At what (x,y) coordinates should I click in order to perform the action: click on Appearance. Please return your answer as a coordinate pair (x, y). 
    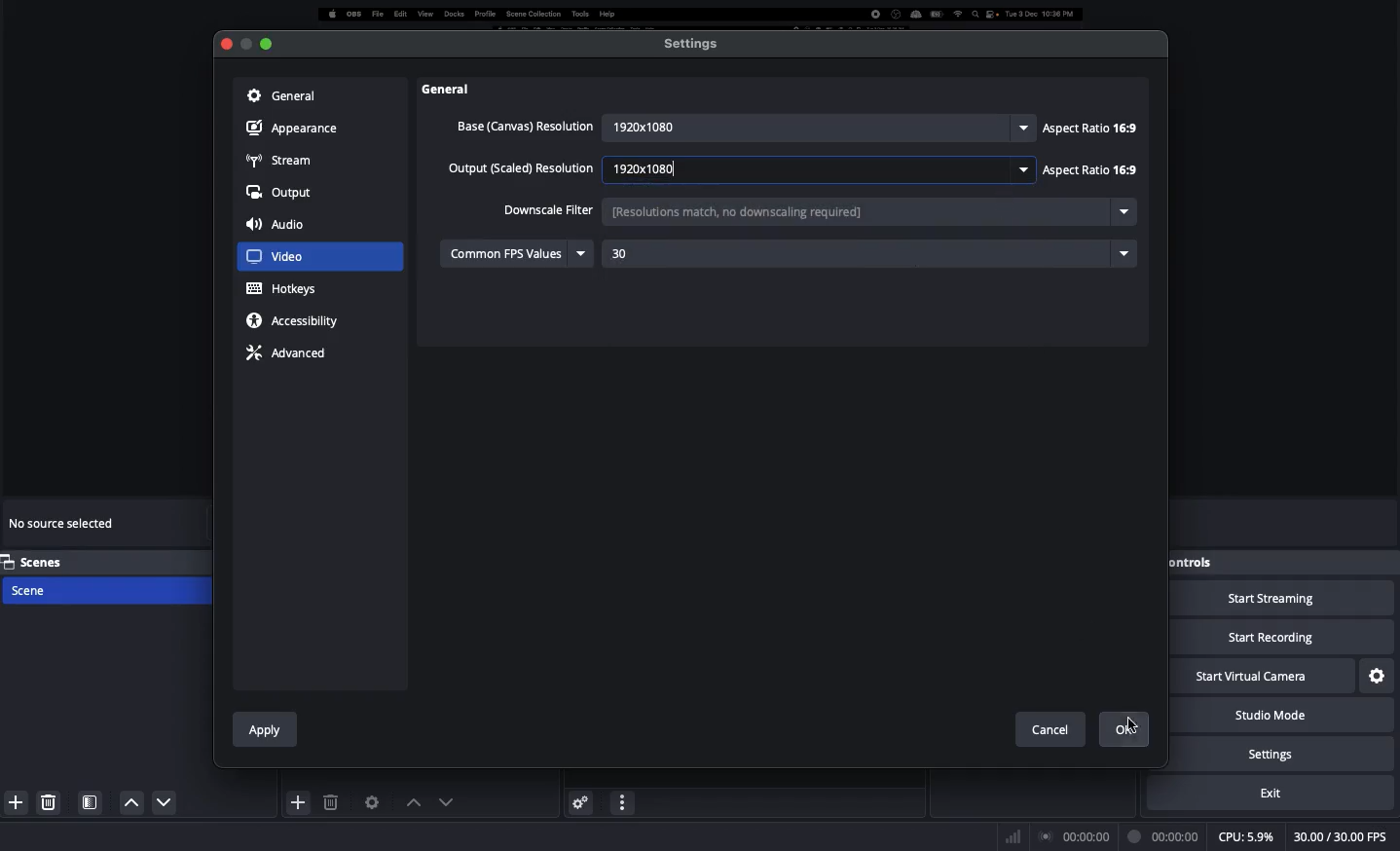
    Looking at the image, I should click on (297, 127).